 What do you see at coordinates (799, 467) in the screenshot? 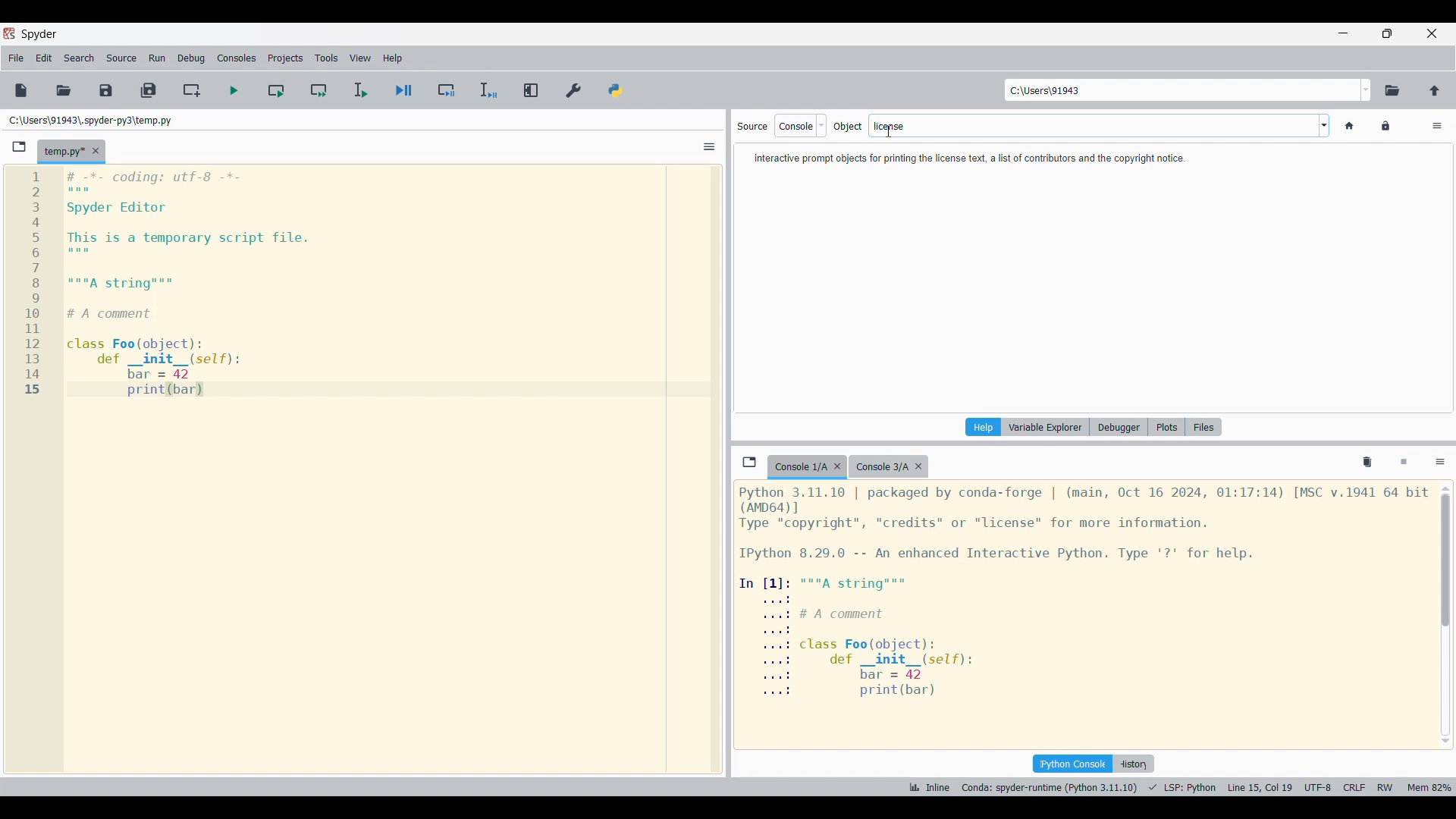
I see `Current tab highlighted` at bounding box center [799, 467].